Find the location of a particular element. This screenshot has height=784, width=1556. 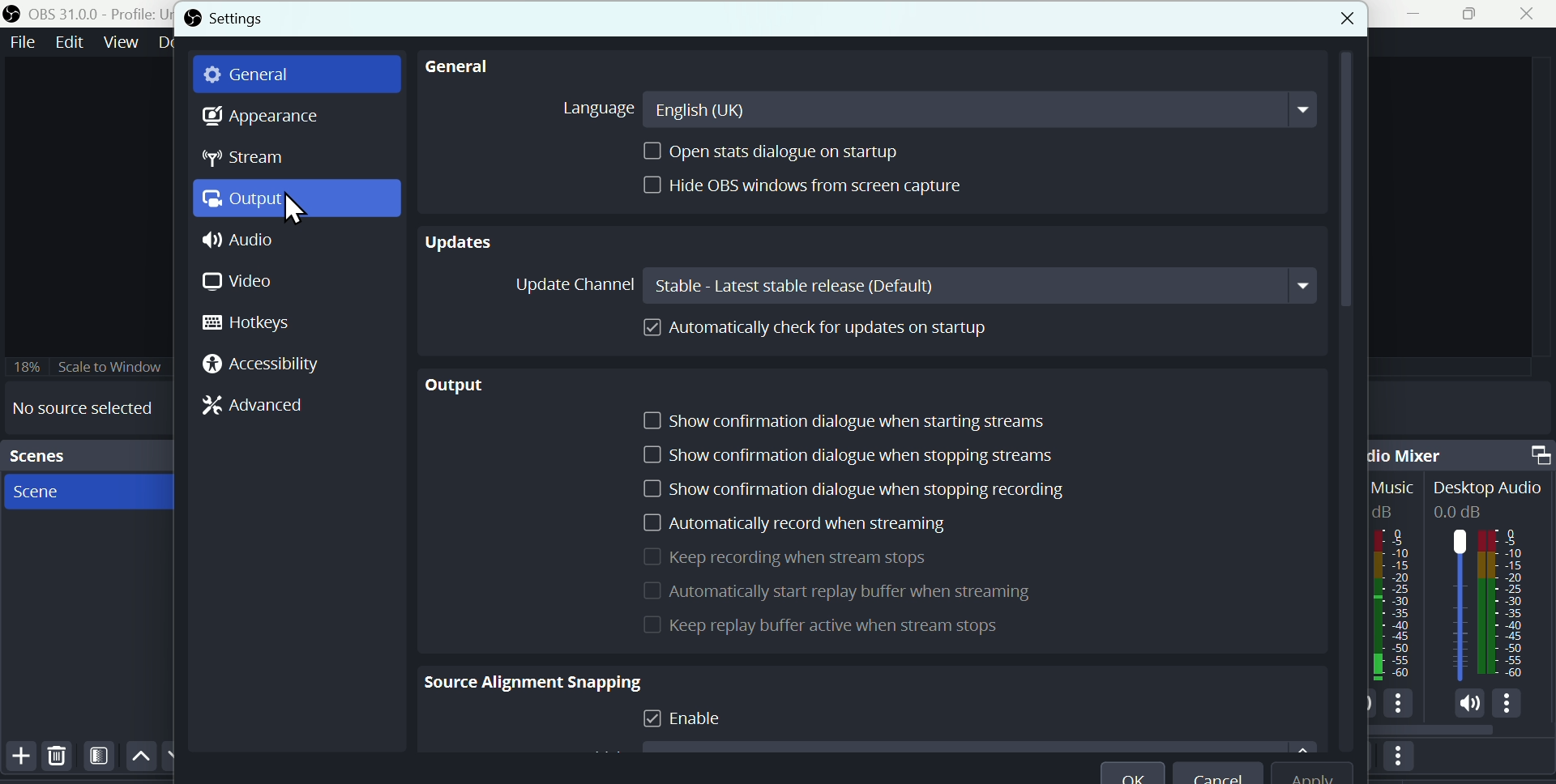

general is located at coordinates (267, 72).